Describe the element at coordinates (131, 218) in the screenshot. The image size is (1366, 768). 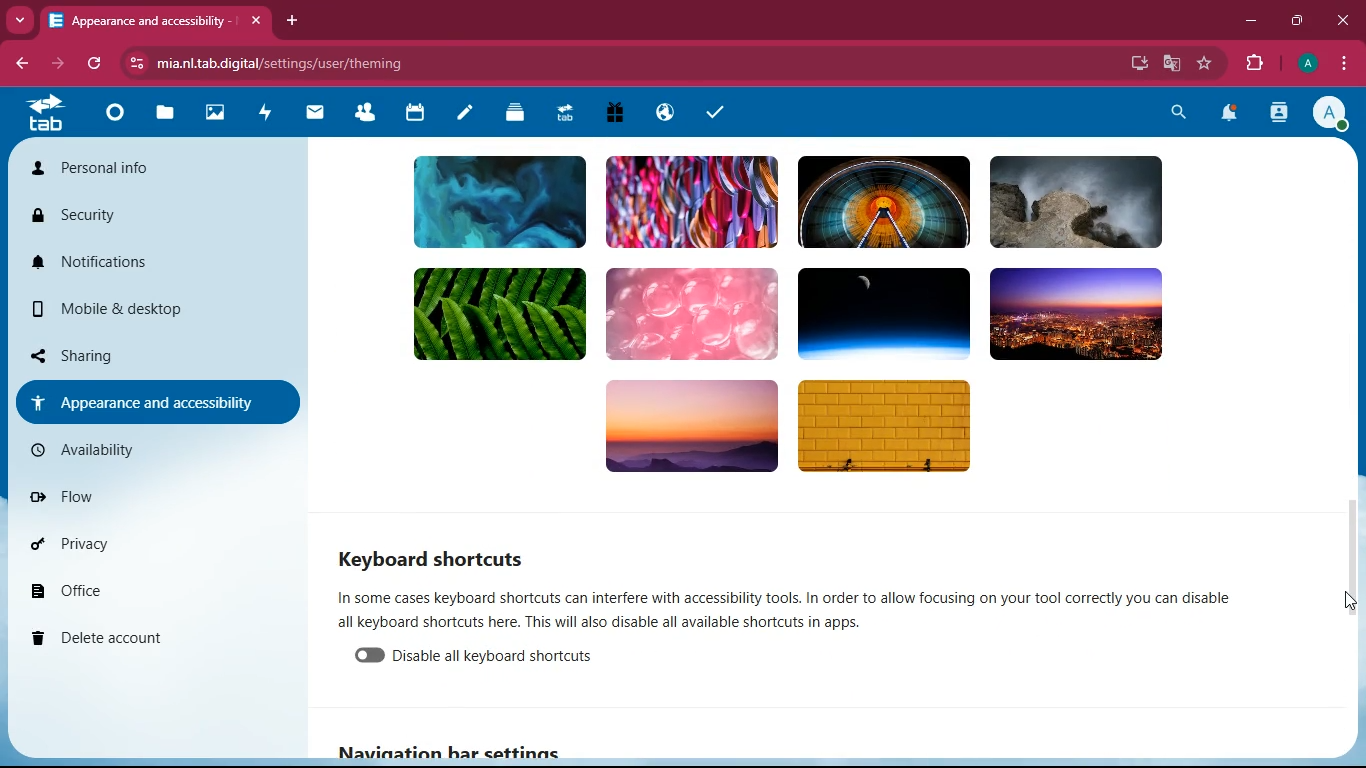
I see `security` at that location.